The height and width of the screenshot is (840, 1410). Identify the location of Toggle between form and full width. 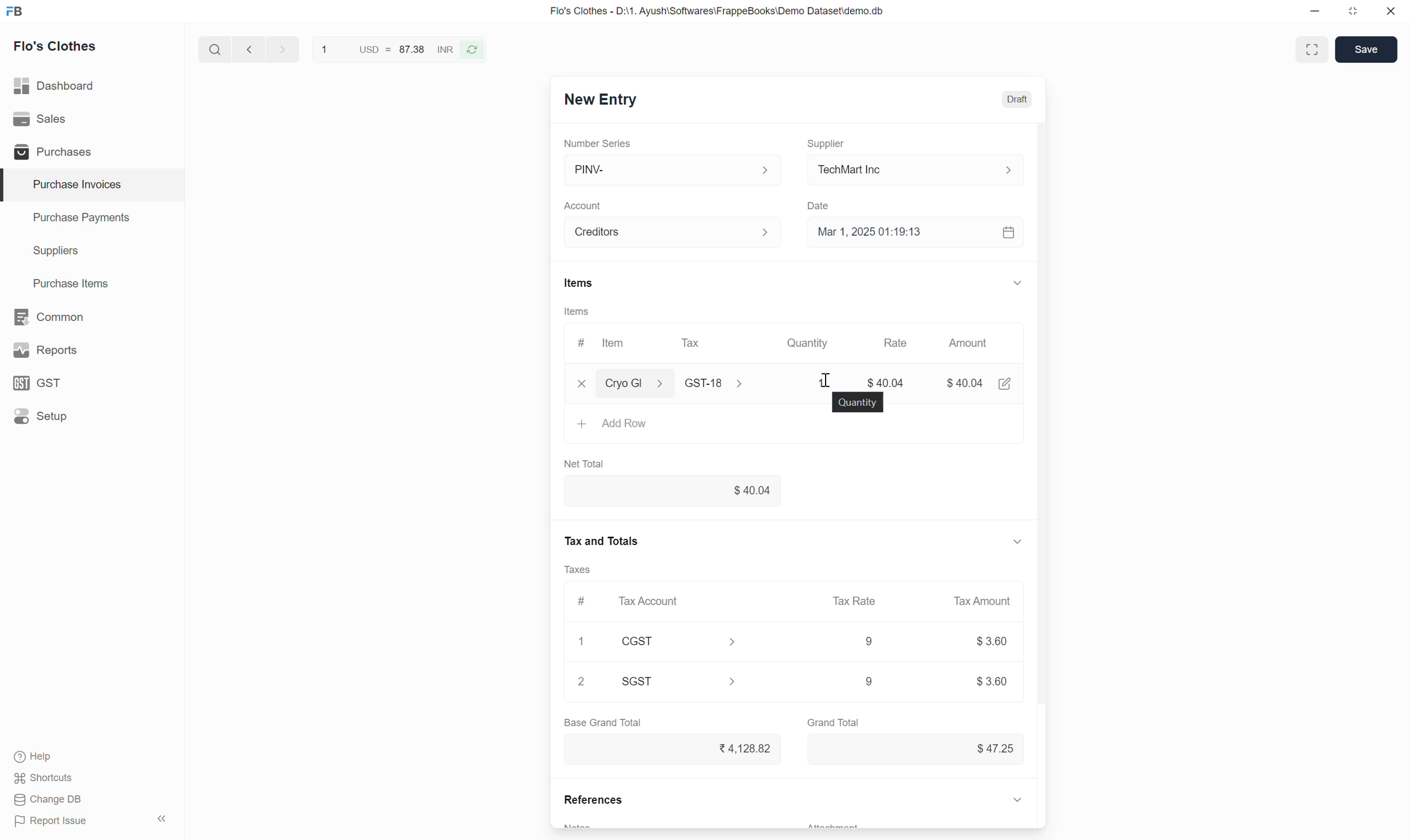
(1311, 49).